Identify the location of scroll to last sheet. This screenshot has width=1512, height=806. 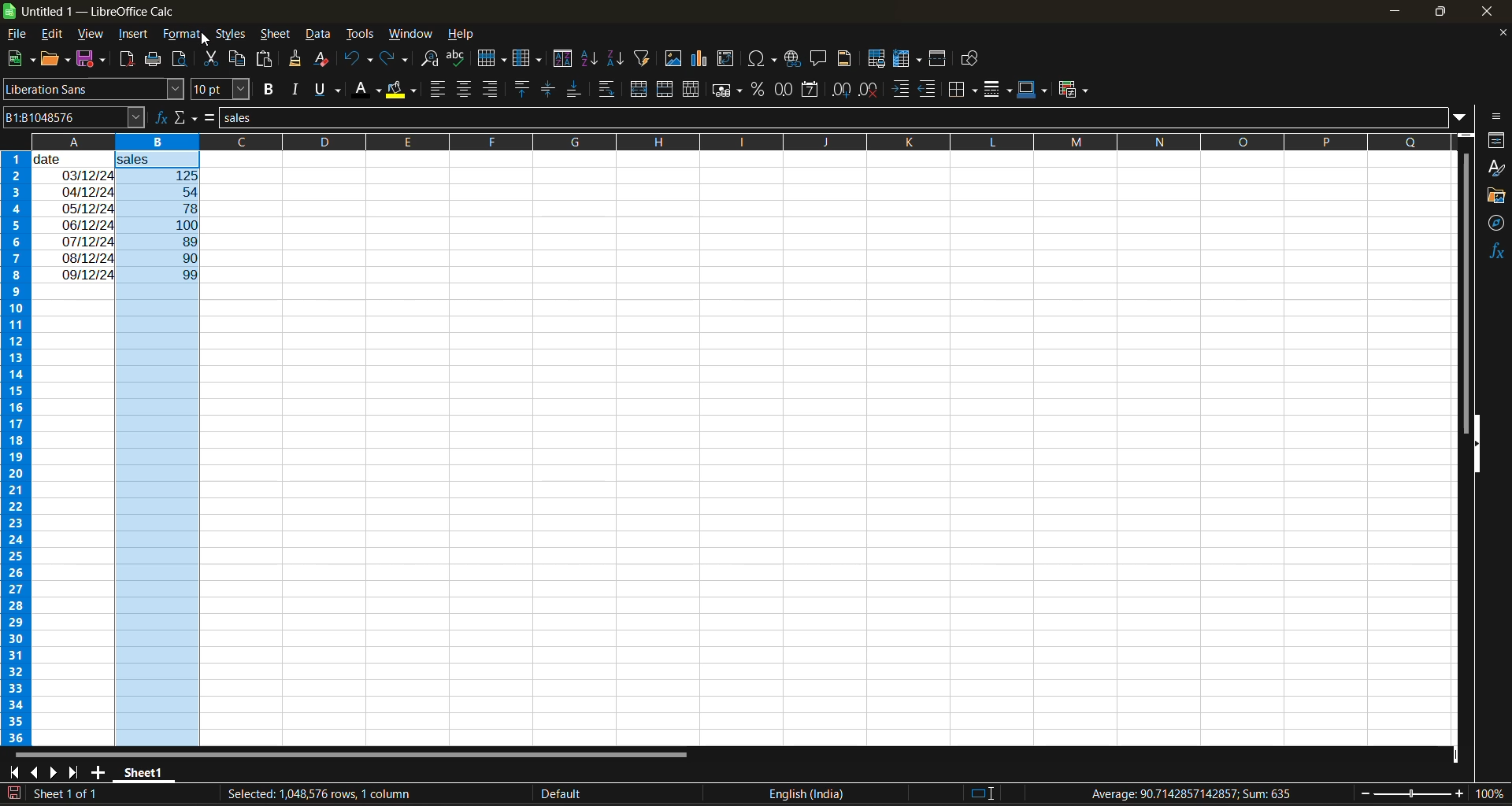
(80, 773).